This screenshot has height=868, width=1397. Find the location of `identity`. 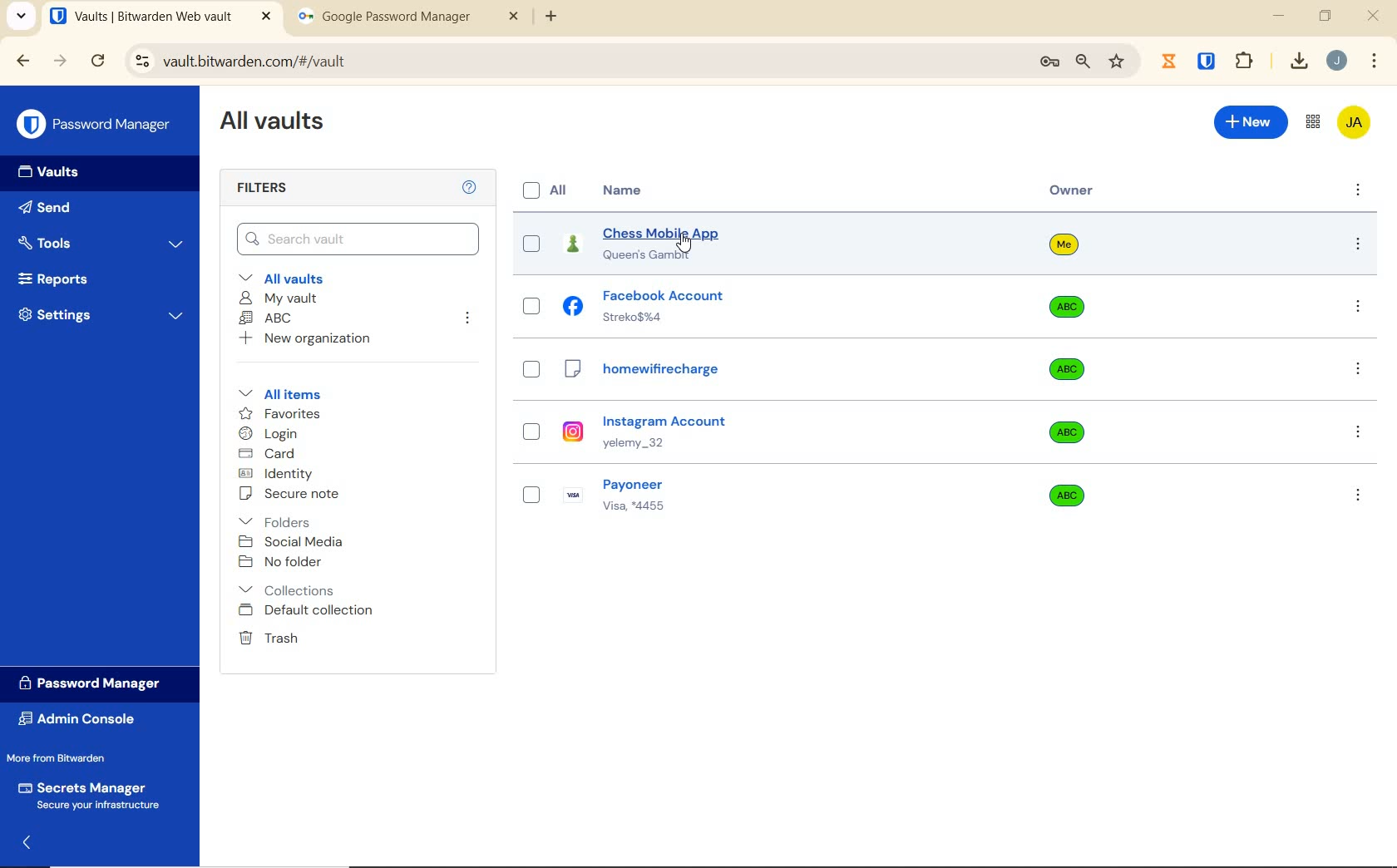

identity is located at coordinates (278, 474).